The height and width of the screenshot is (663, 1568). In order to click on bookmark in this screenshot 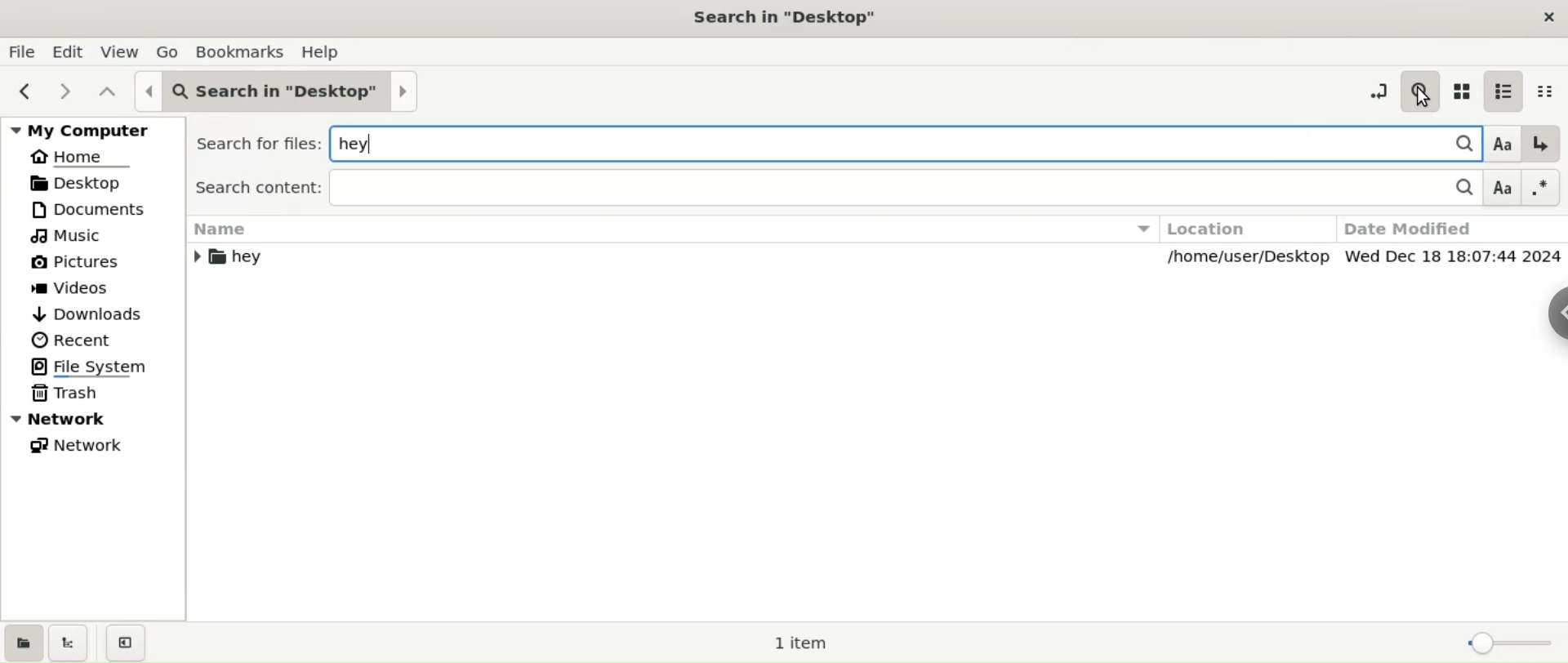, I will do `click(242, 51)`.